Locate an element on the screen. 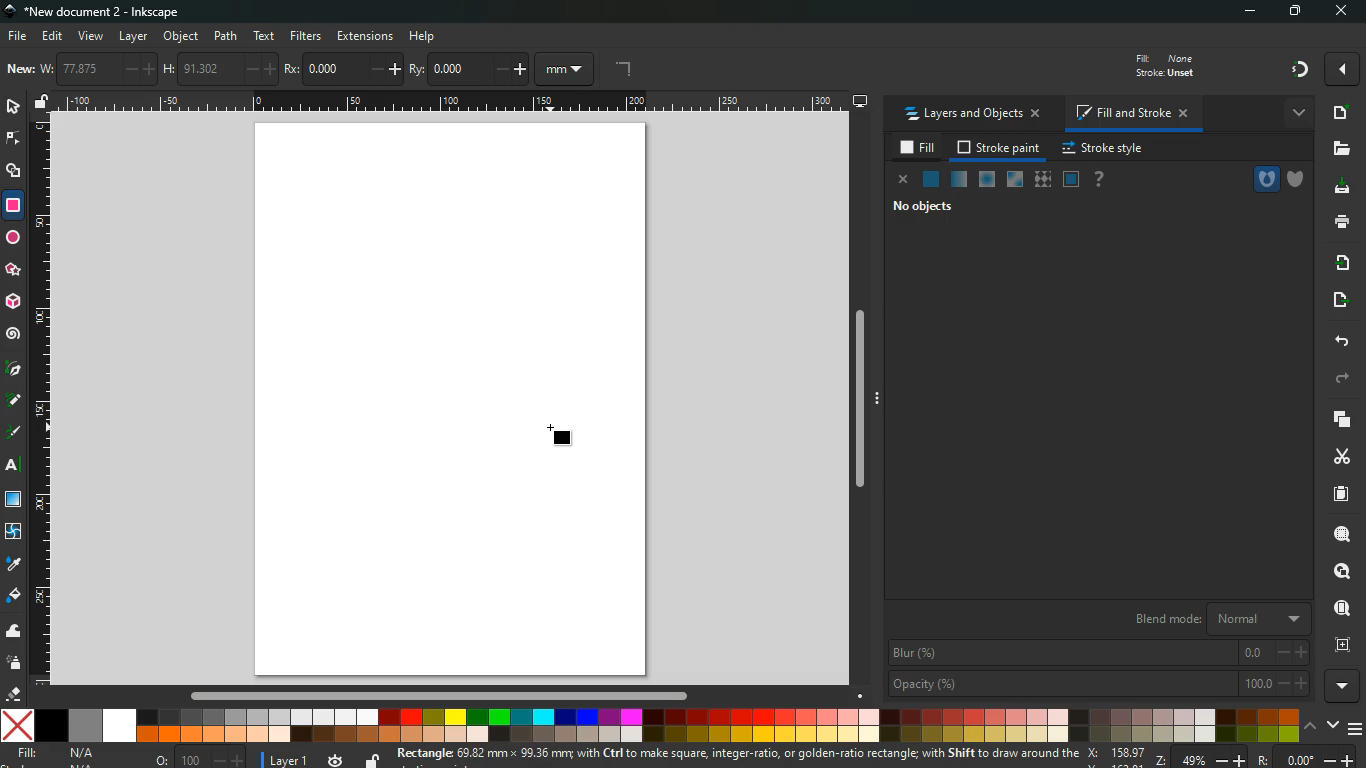 This screenshot has width=1366, height=768. cut is located at coordinates (1340, 458).